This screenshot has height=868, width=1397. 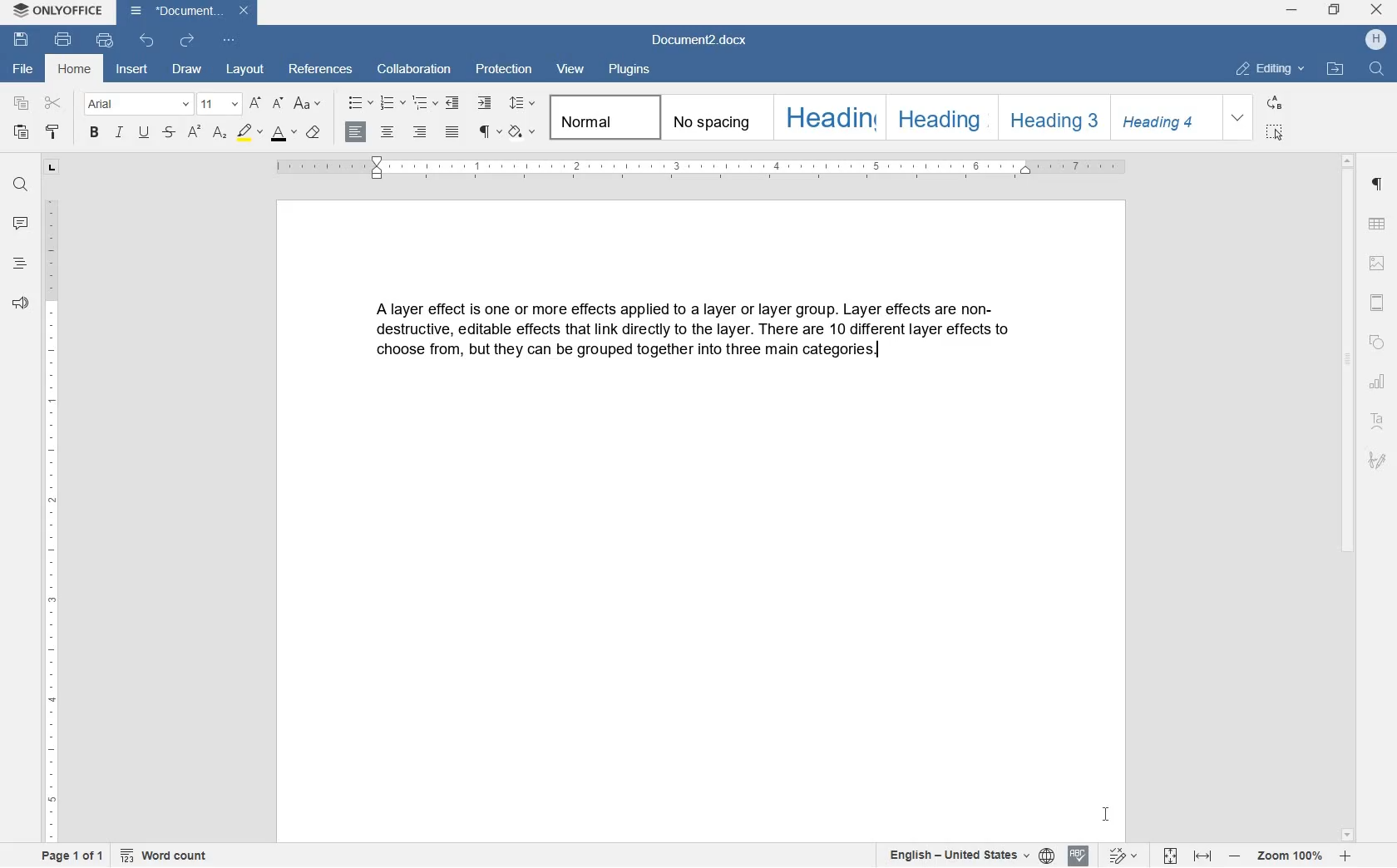 I want to click on COLLABORATION, so click(x=413, y=69).